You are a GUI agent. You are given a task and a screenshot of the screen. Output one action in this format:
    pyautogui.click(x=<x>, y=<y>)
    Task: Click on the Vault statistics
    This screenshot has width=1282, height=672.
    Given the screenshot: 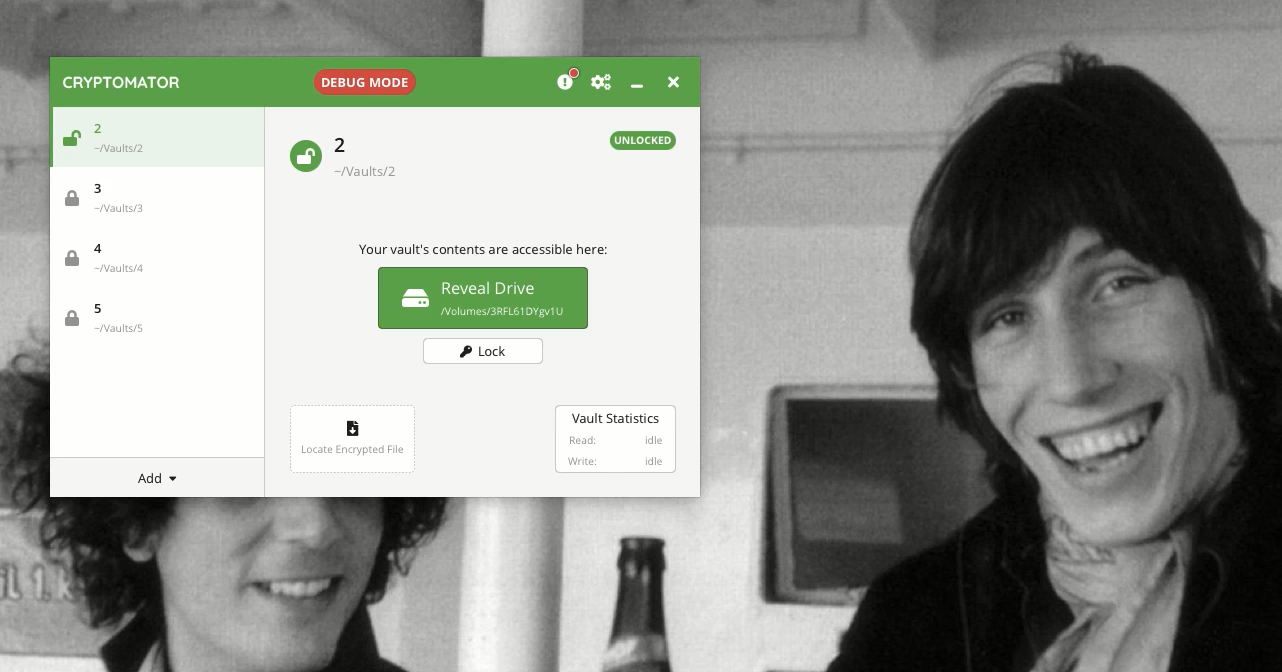 What is the action you would take?
    pyautogui.click(x=613, y=440)
    